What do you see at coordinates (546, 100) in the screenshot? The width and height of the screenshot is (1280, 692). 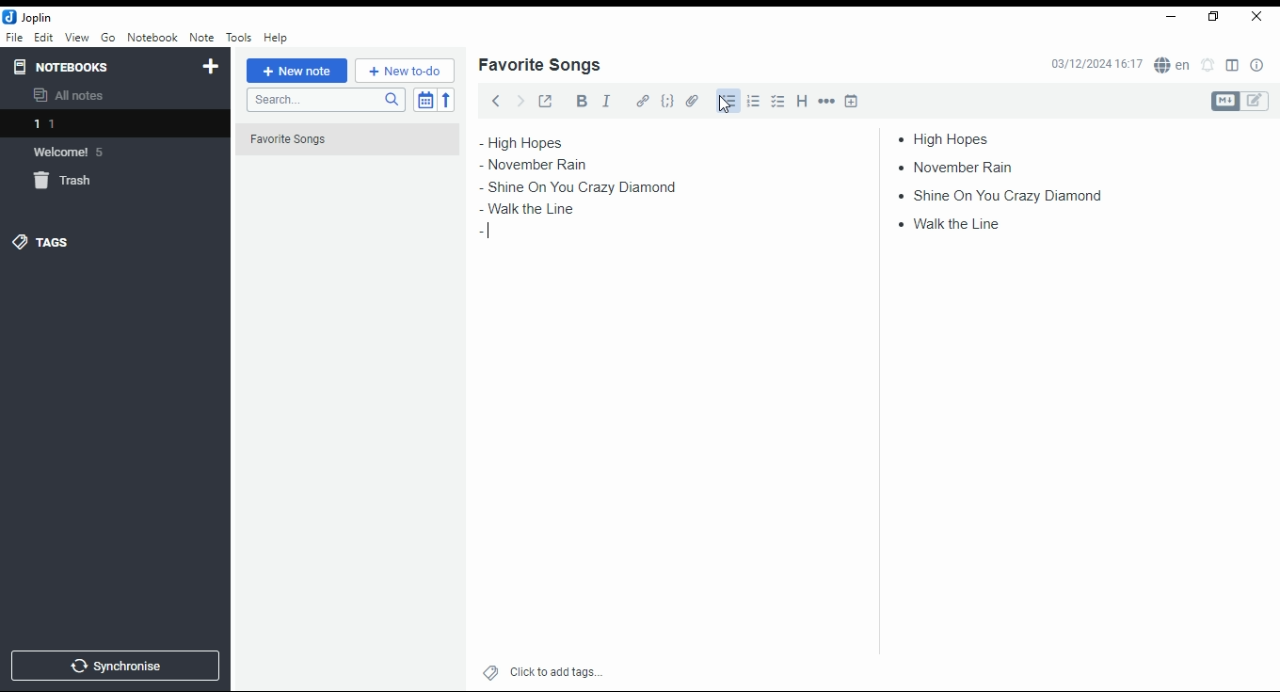 I see `toggle external editing` at bounding box center [546, 100].